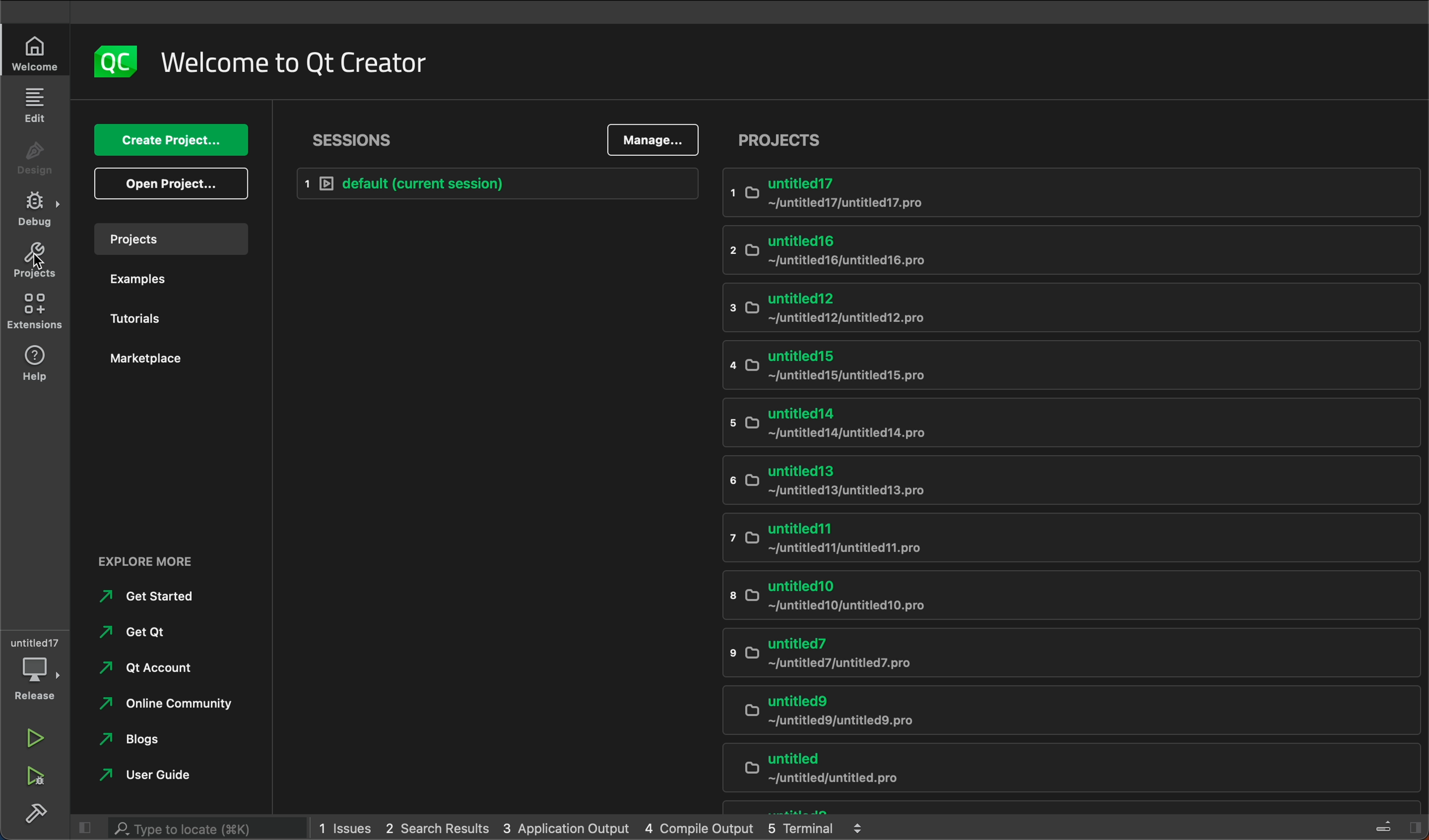  I want to click on user guide, so click(159, 775).